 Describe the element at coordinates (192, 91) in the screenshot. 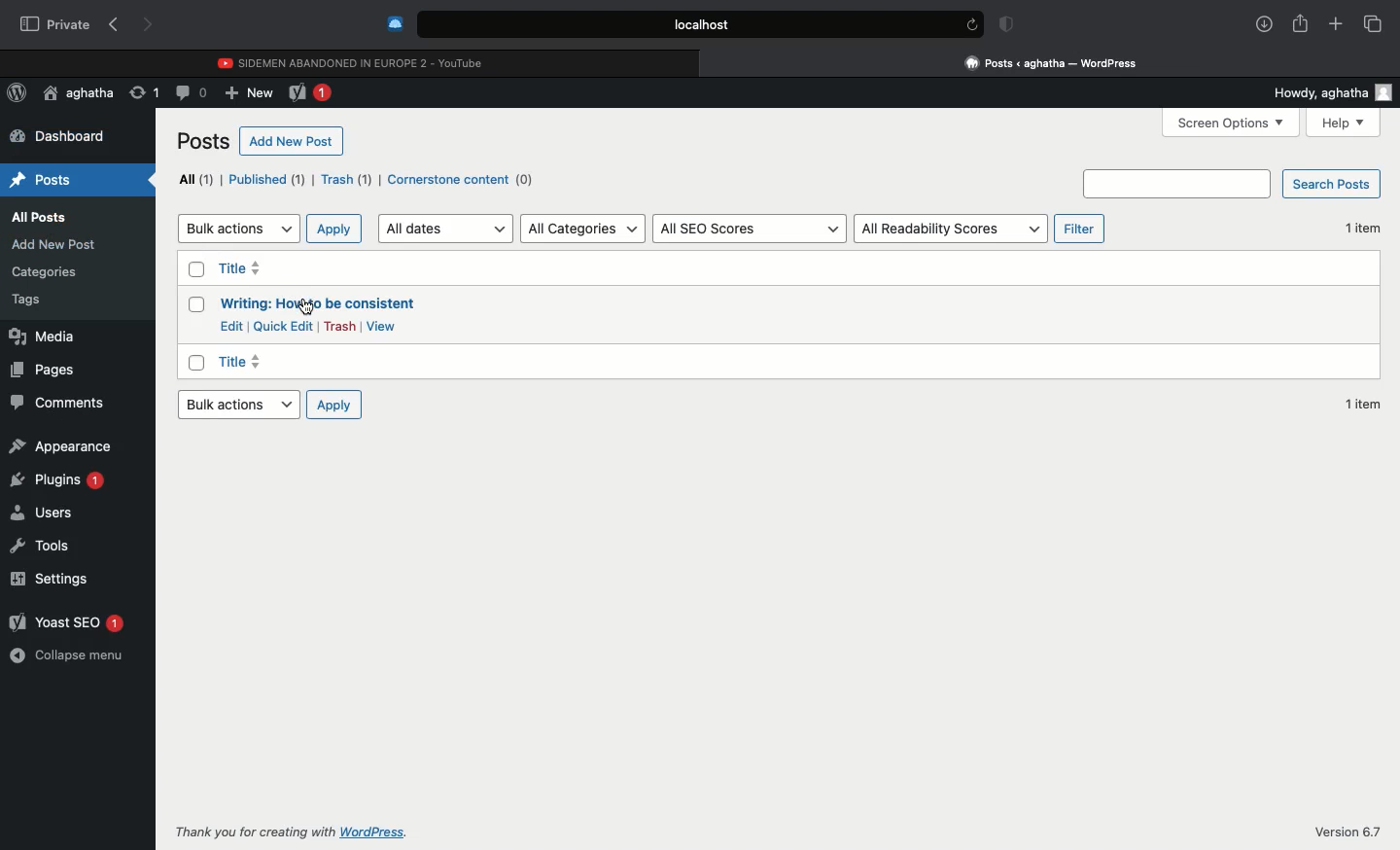

I see `Comment` at that location.